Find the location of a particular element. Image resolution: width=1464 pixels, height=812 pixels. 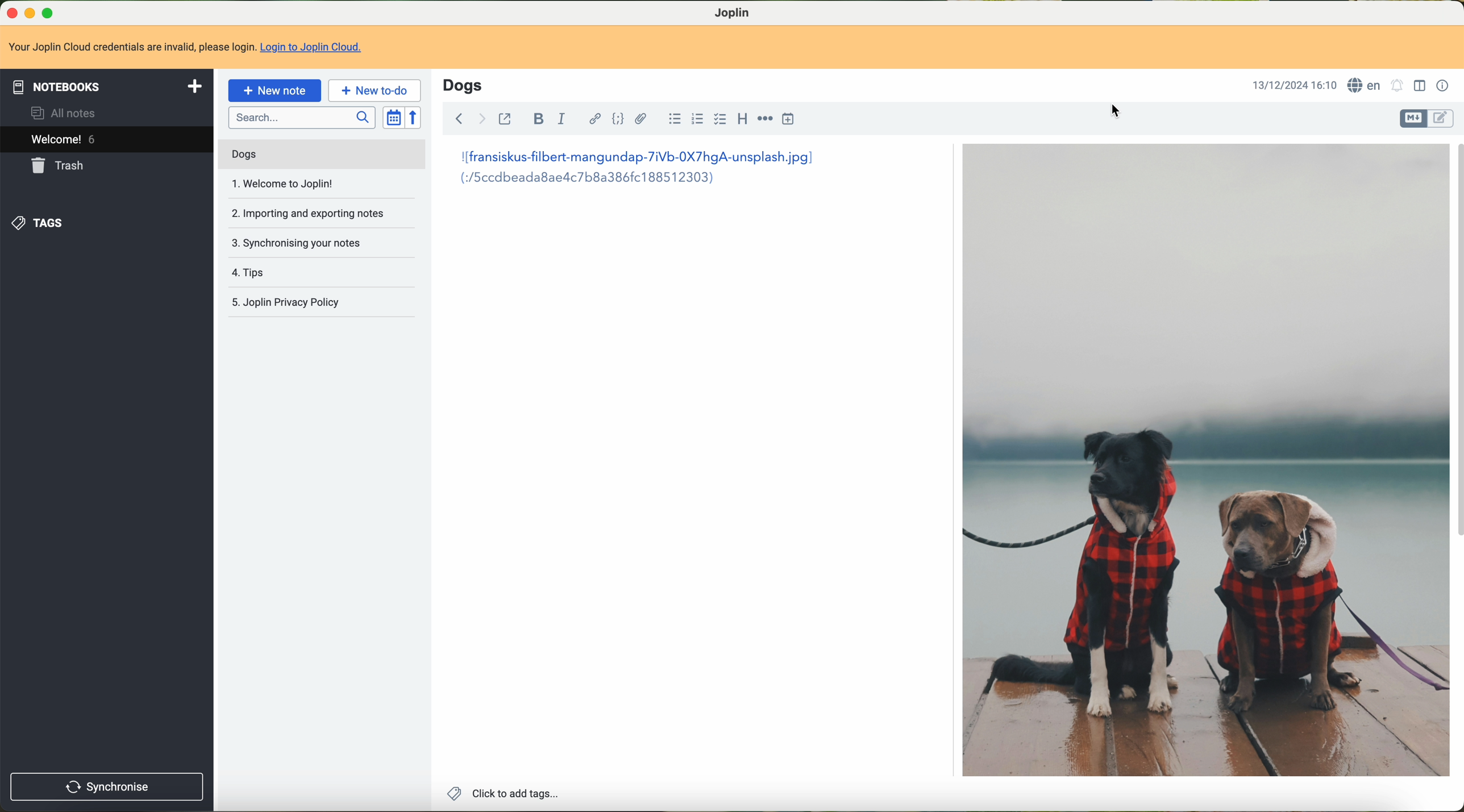

insert time is located at coordinates (790, 120).